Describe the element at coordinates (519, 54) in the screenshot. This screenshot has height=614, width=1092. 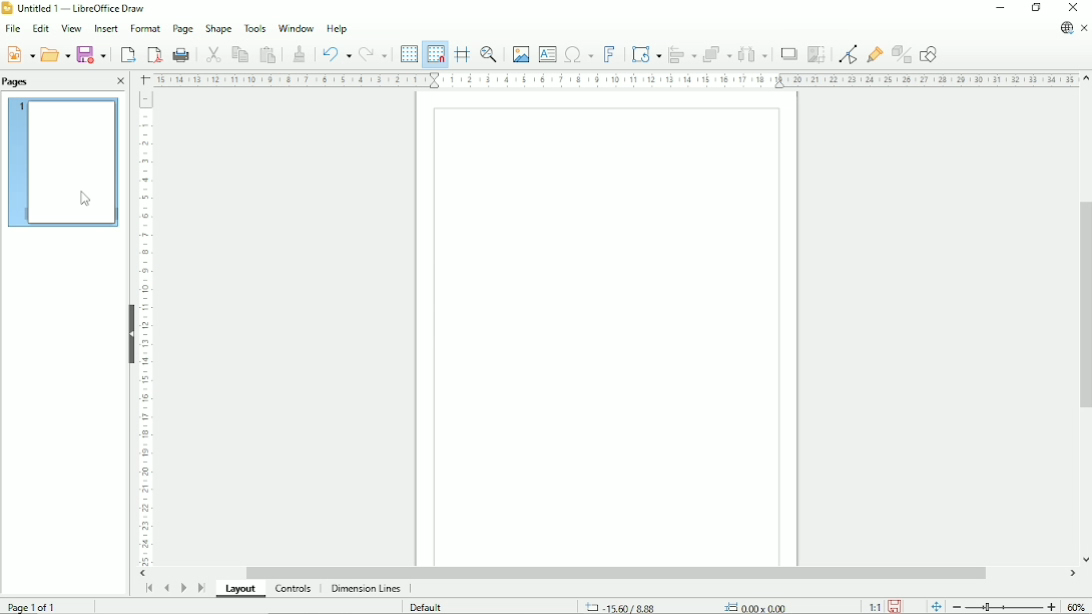
I see `Insert image` at that location.